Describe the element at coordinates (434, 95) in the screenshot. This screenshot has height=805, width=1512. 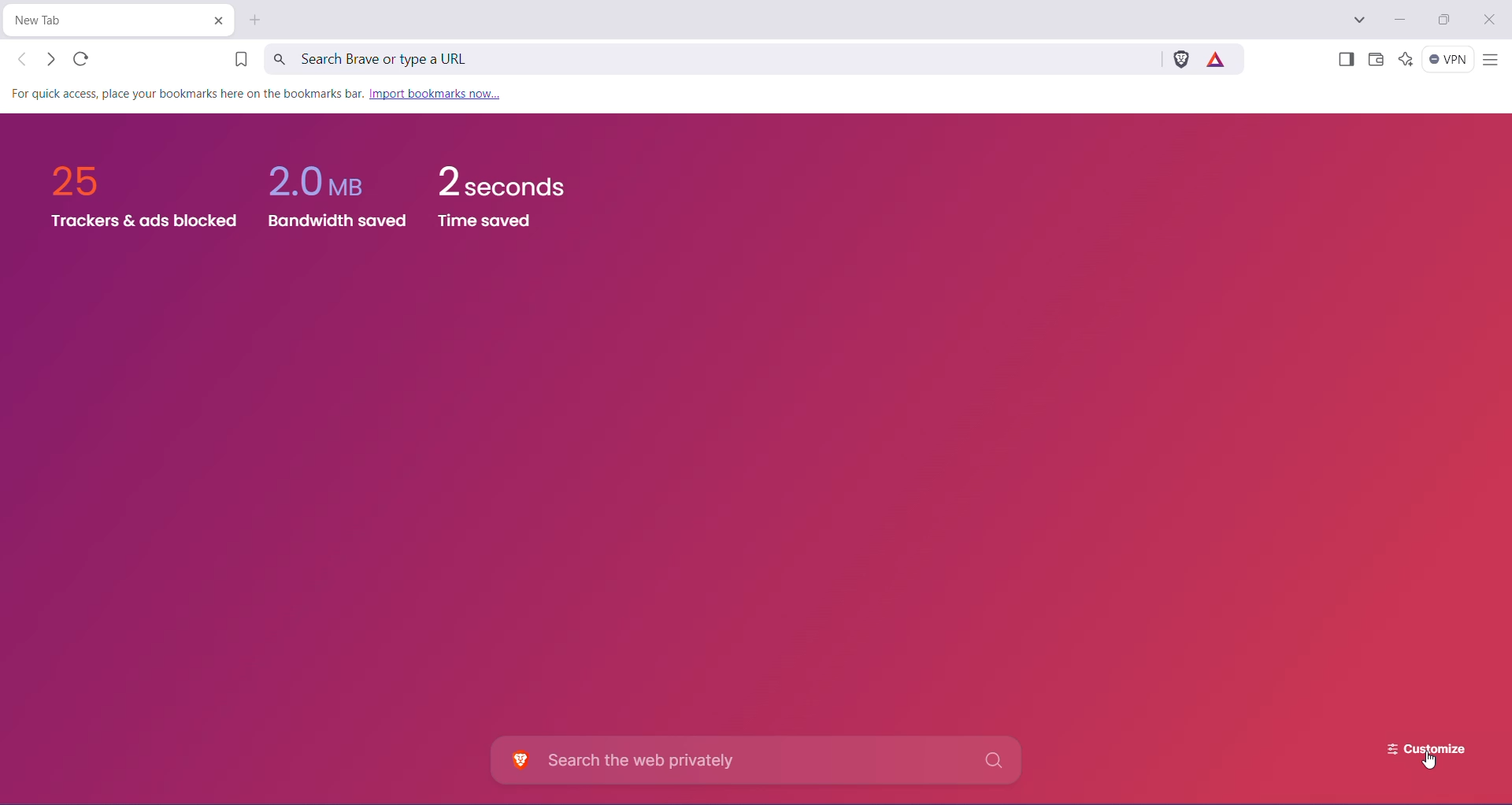
I see `Import Bookmark now` at that location.